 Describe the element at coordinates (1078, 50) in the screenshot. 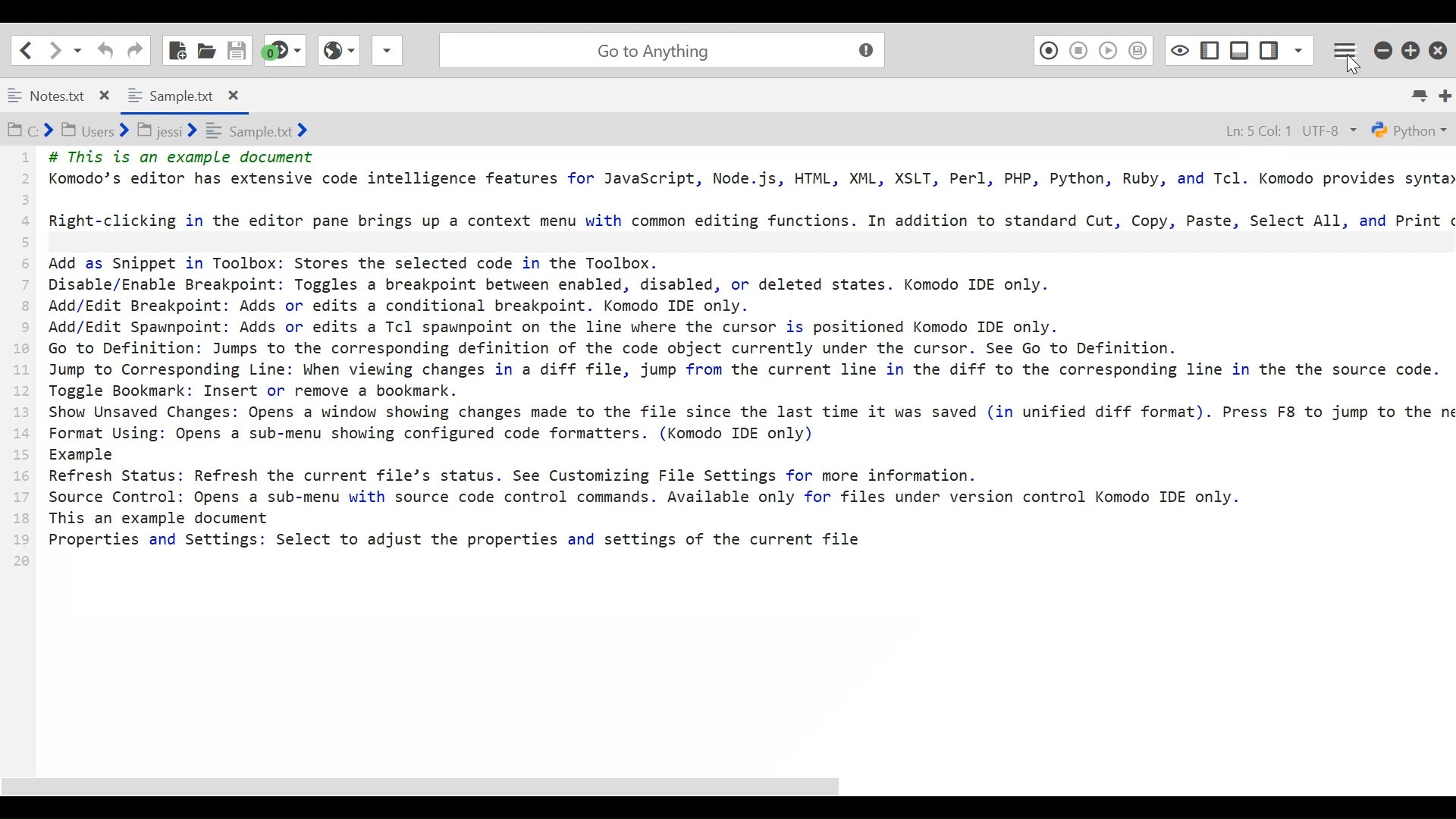

I see `Stop Recording Macro` at that location.